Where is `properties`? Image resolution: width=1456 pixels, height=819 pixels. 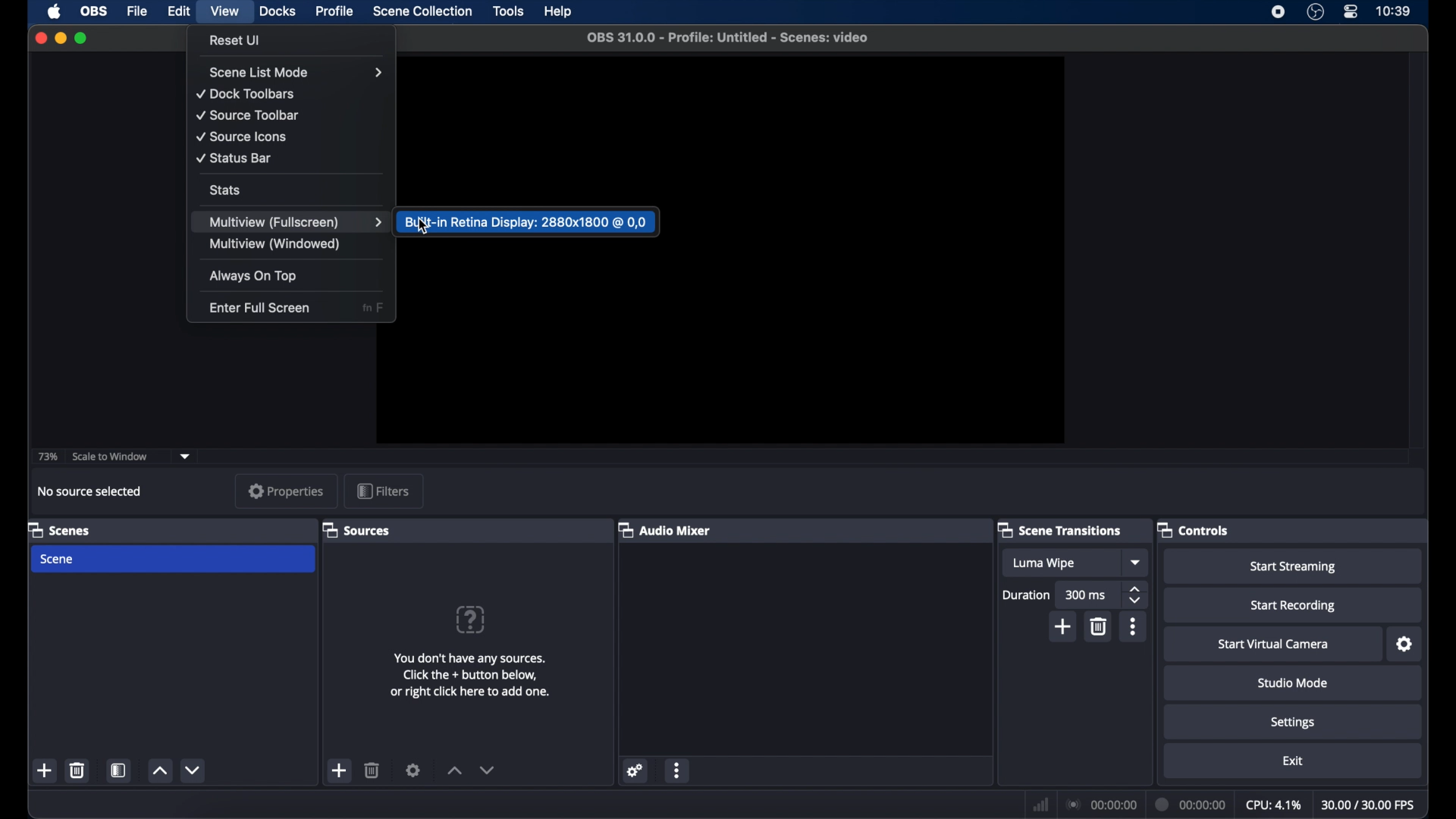 properties is located at coordinates (285, 492).